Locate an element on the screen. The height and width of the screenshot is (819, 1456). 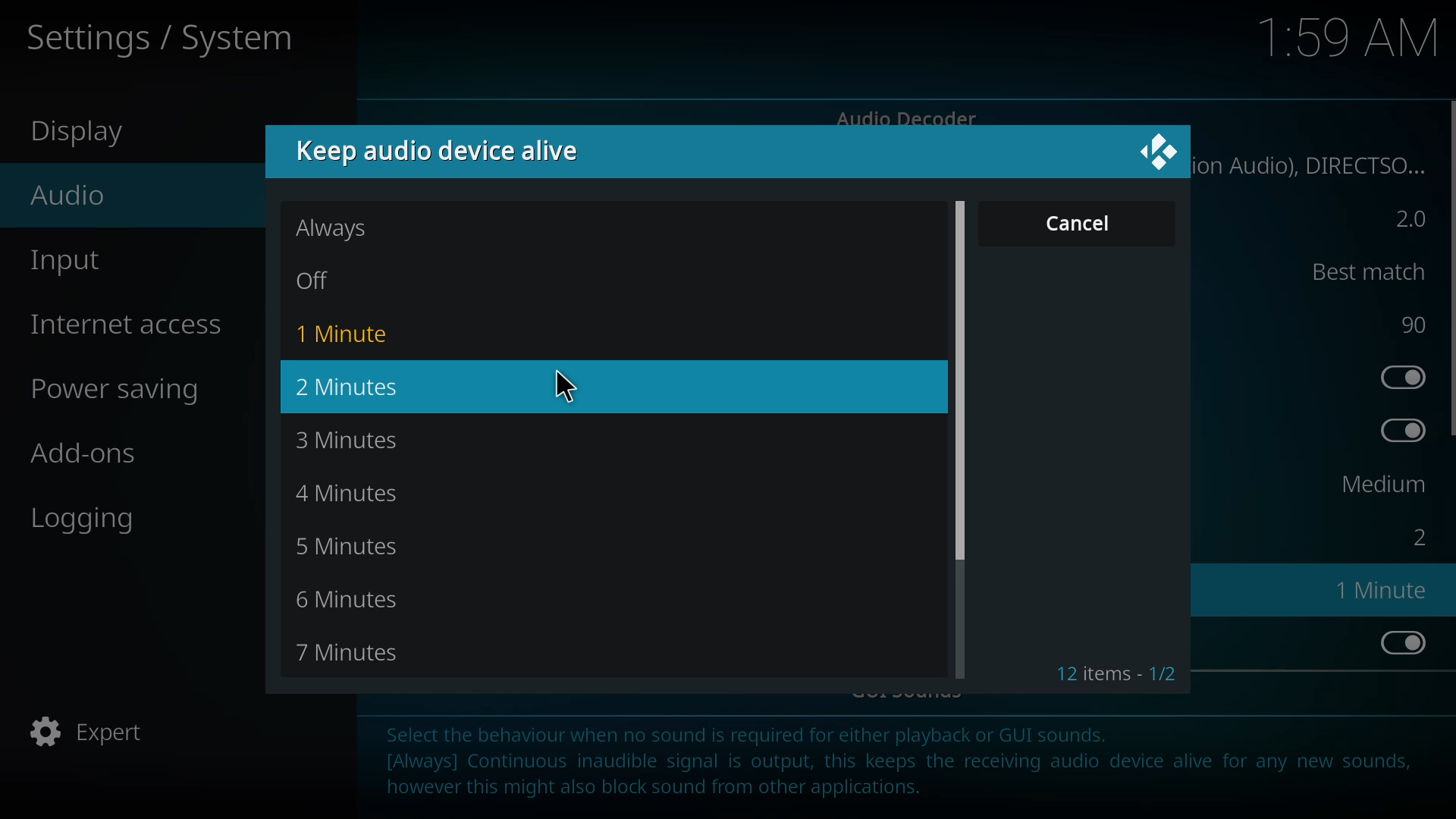
2 is located at coordinates (1403, 219).